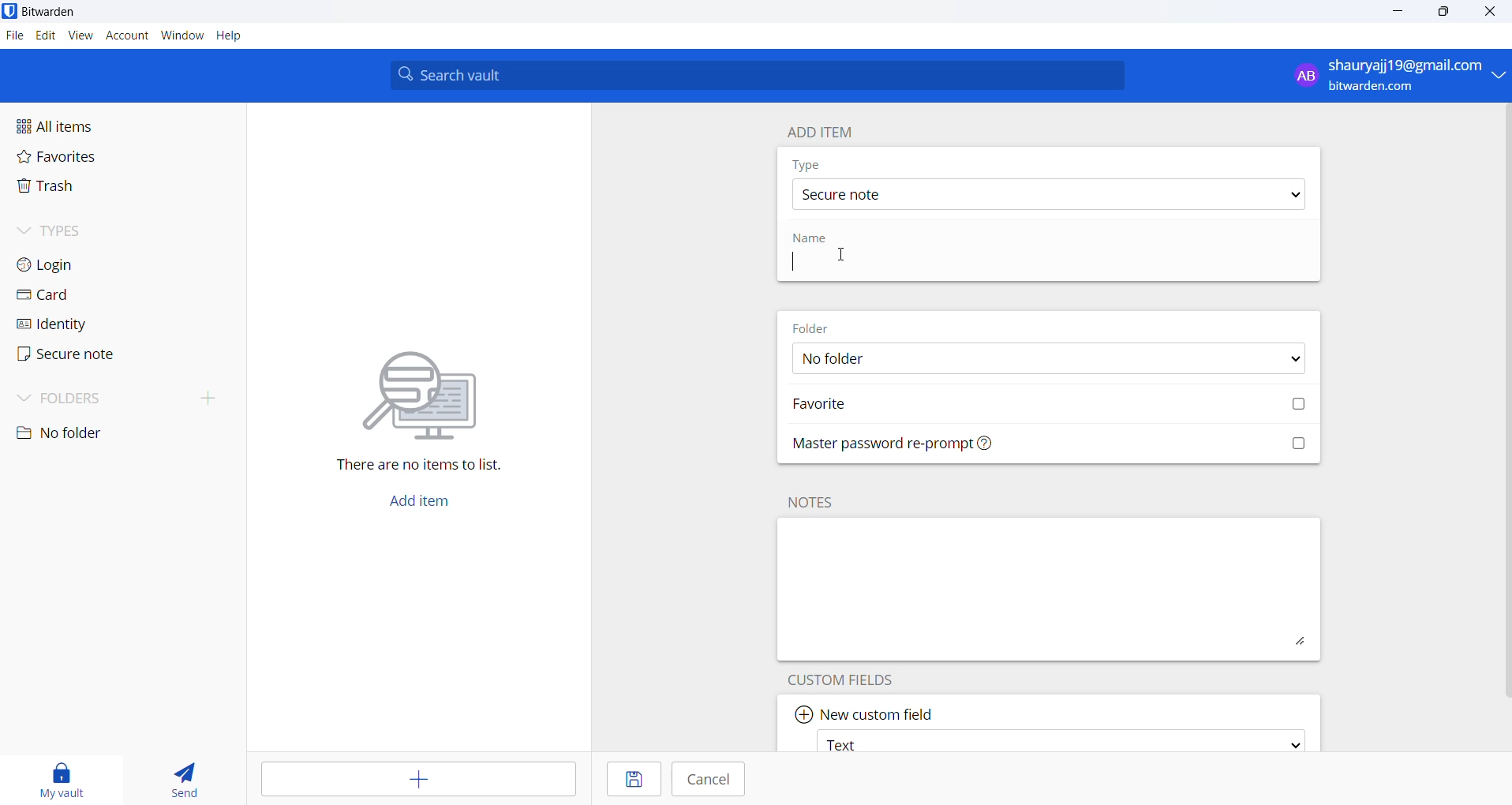 This screenshot has height=805, width=1512. I want to click on no folder, so click(93, 434).